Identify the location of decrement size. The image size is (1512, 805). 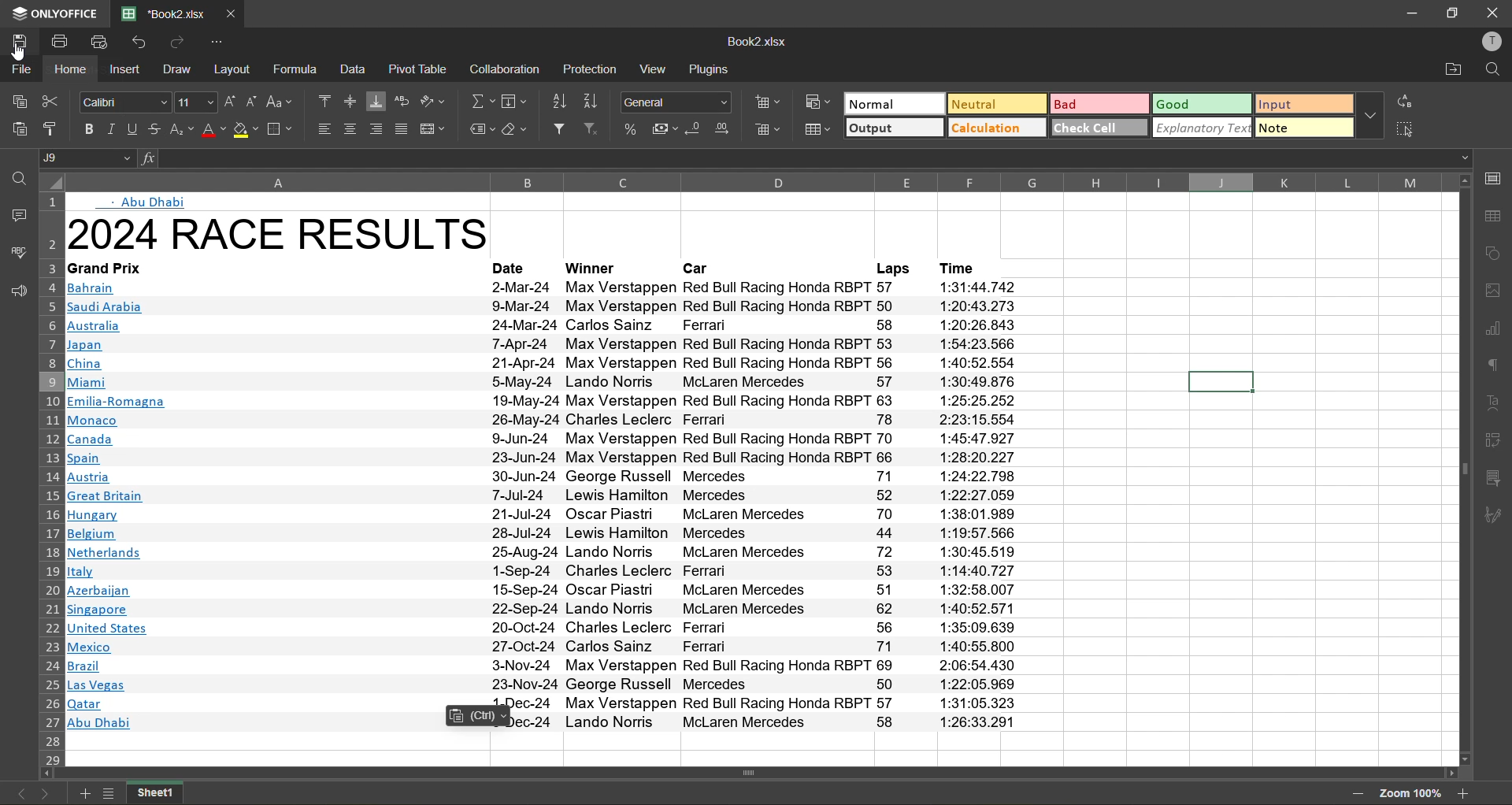
(254, 99).